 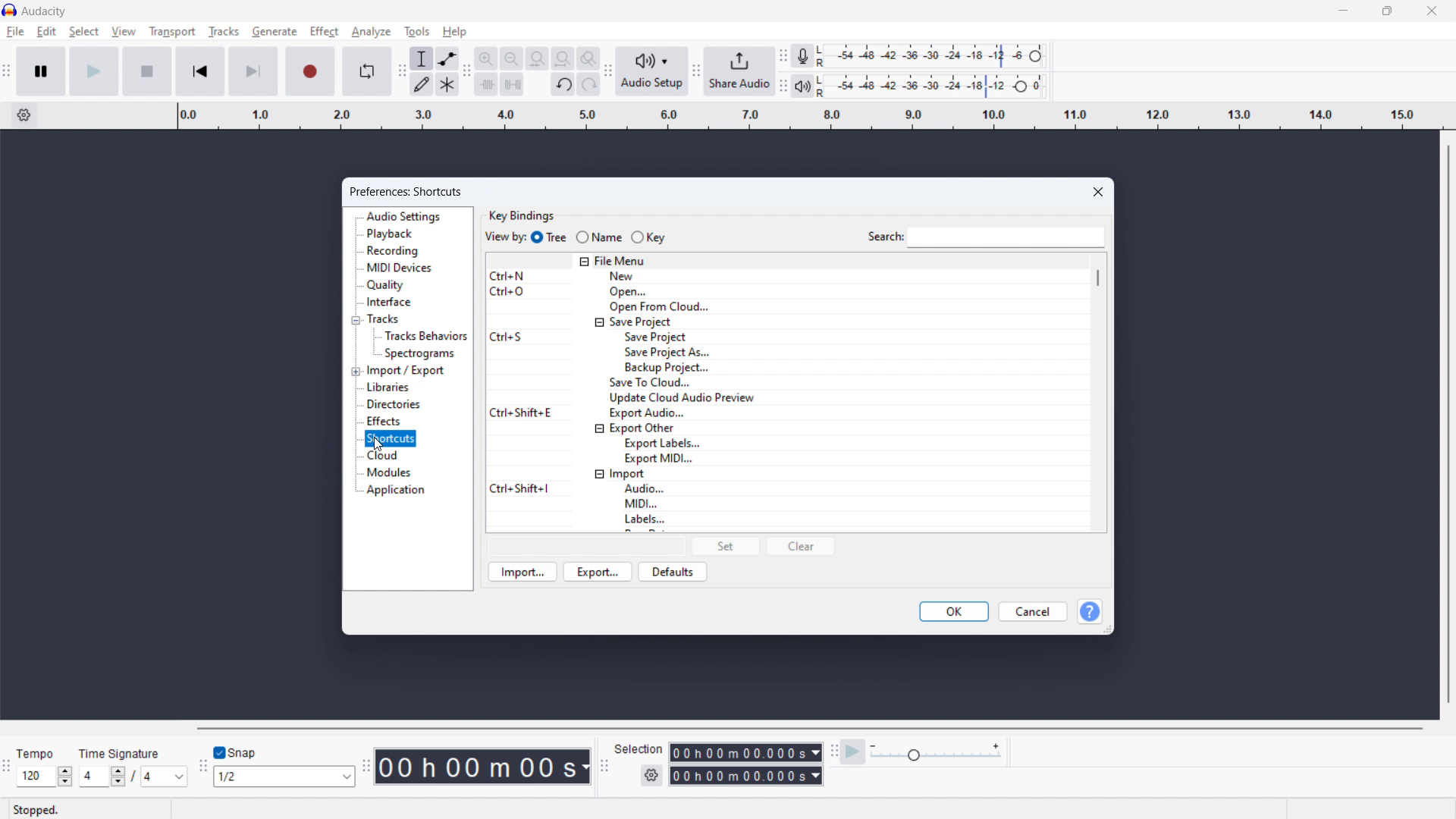 What do you see at coordinates (1090, 611) in the screenshot?
I see `help` at bounding box center [1090, 611].